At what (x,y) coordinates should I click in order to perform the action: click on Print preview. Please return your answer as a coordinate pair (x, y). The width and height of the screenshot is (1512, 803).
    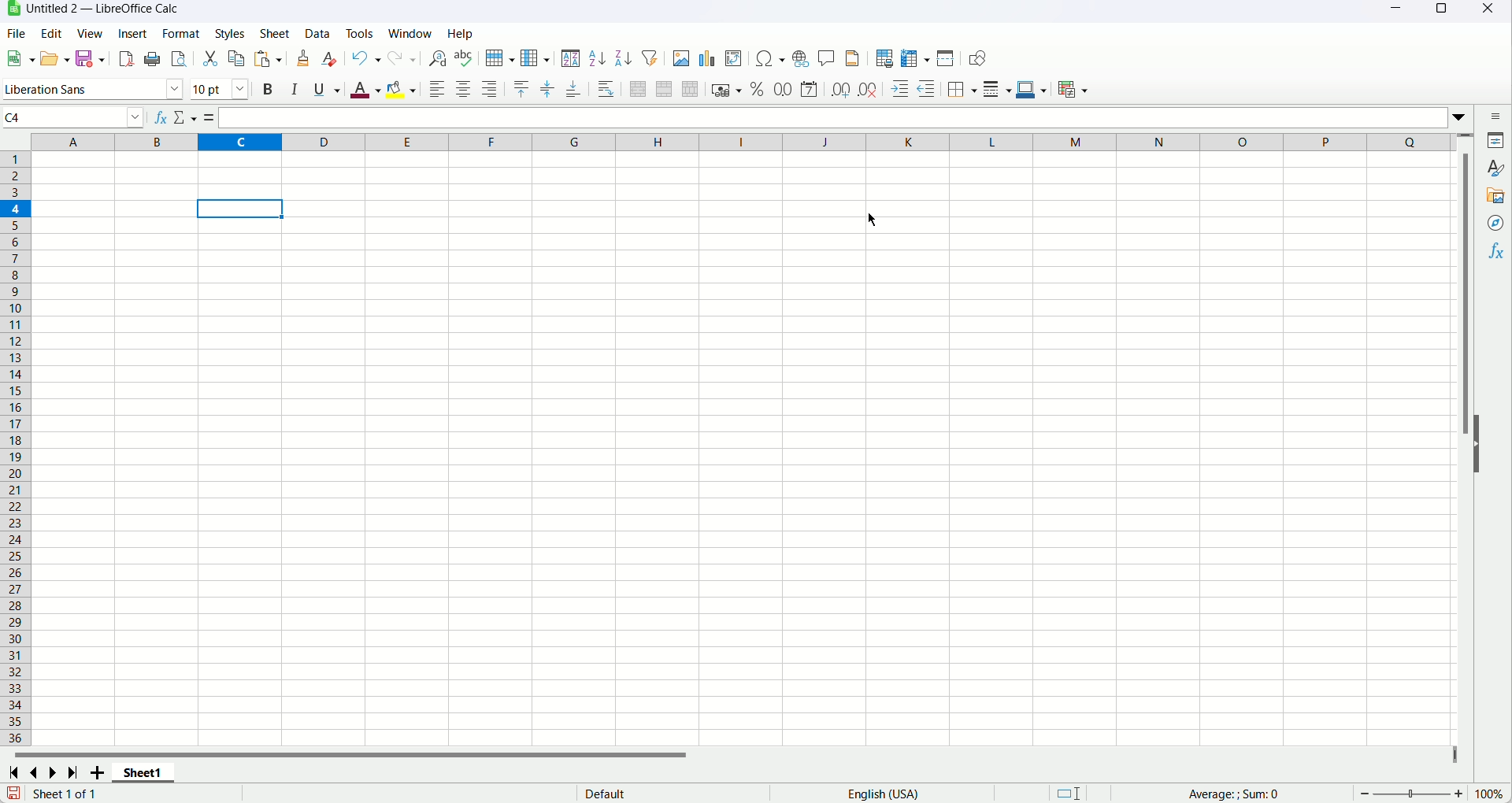
    Looking at the image, I should click on (179, 59).